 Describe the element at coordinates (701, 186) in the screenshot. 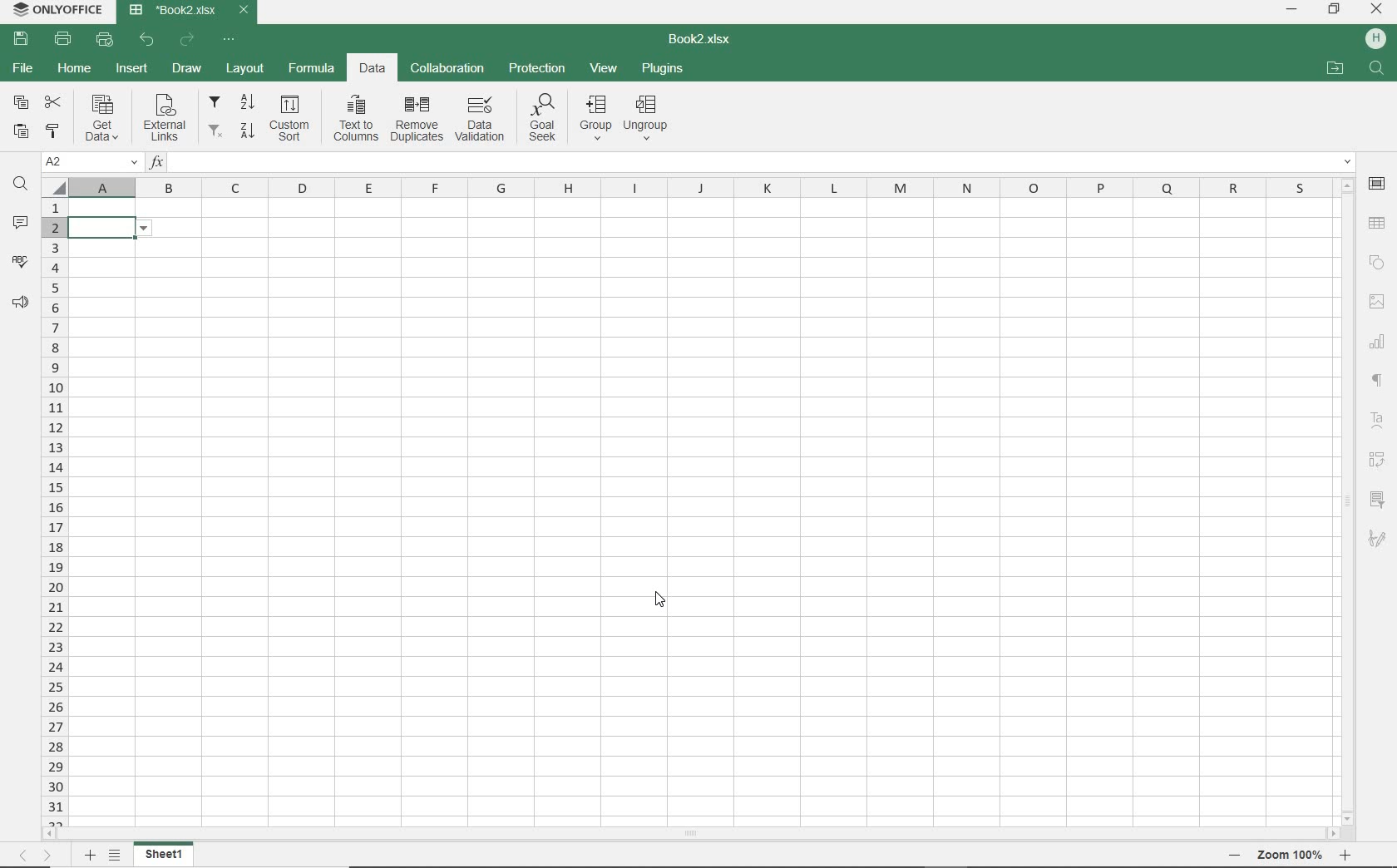

I see `COLUMNS` at that location.